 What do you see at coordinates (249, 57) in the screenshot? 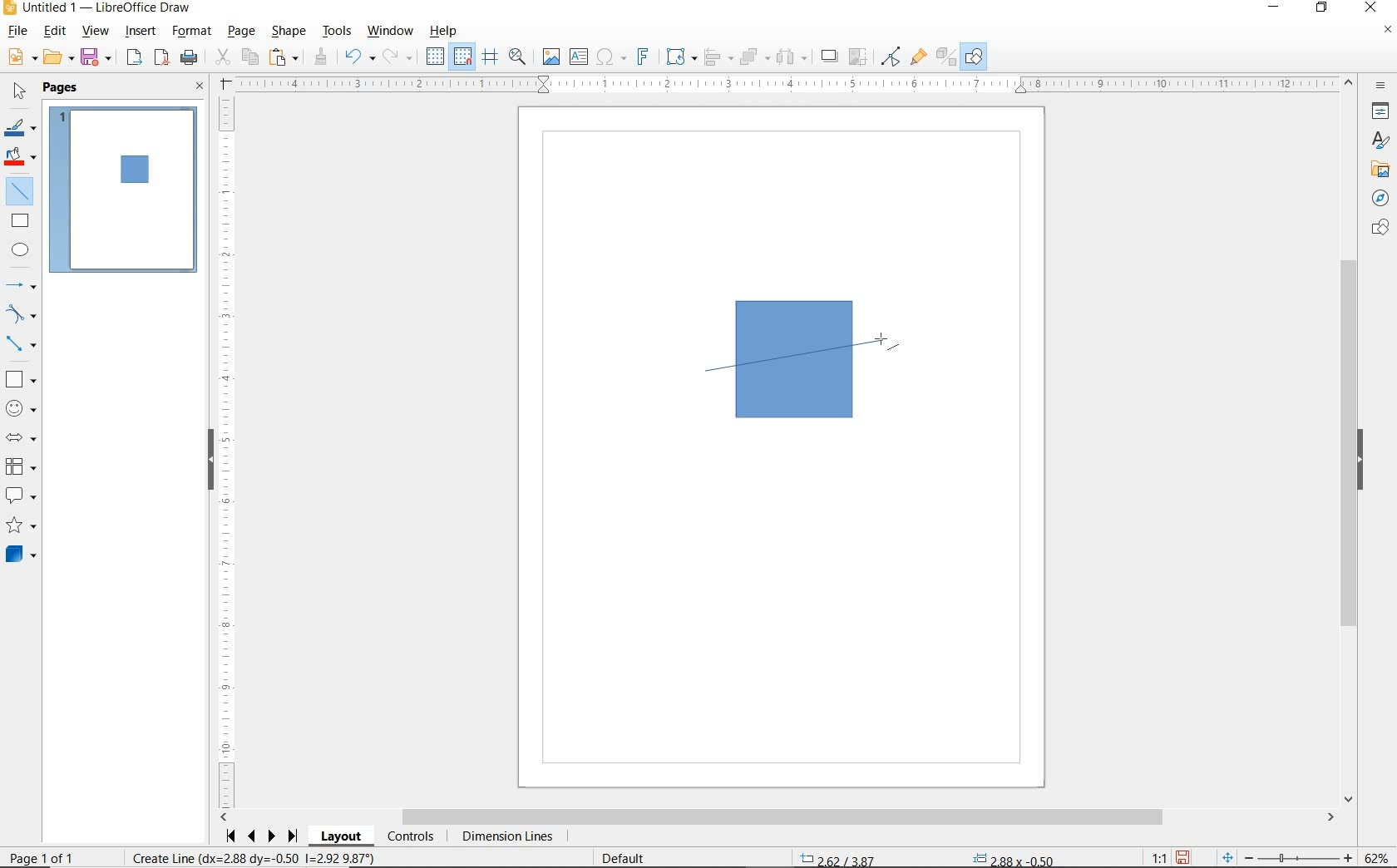
I see `COPY` at bounding box center [249, 57].